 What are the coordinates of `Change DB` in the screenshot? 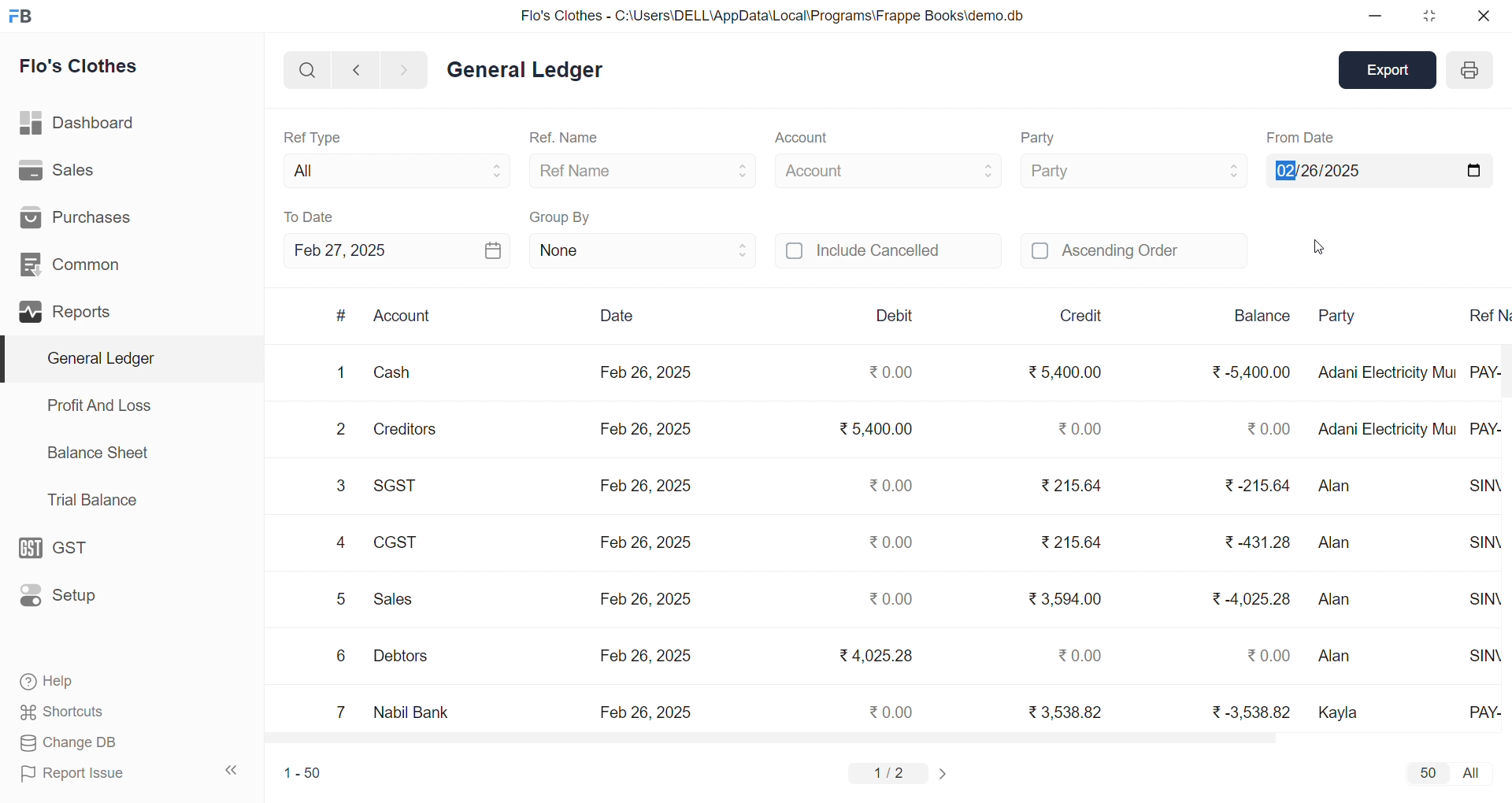 It's located at (66, 742).